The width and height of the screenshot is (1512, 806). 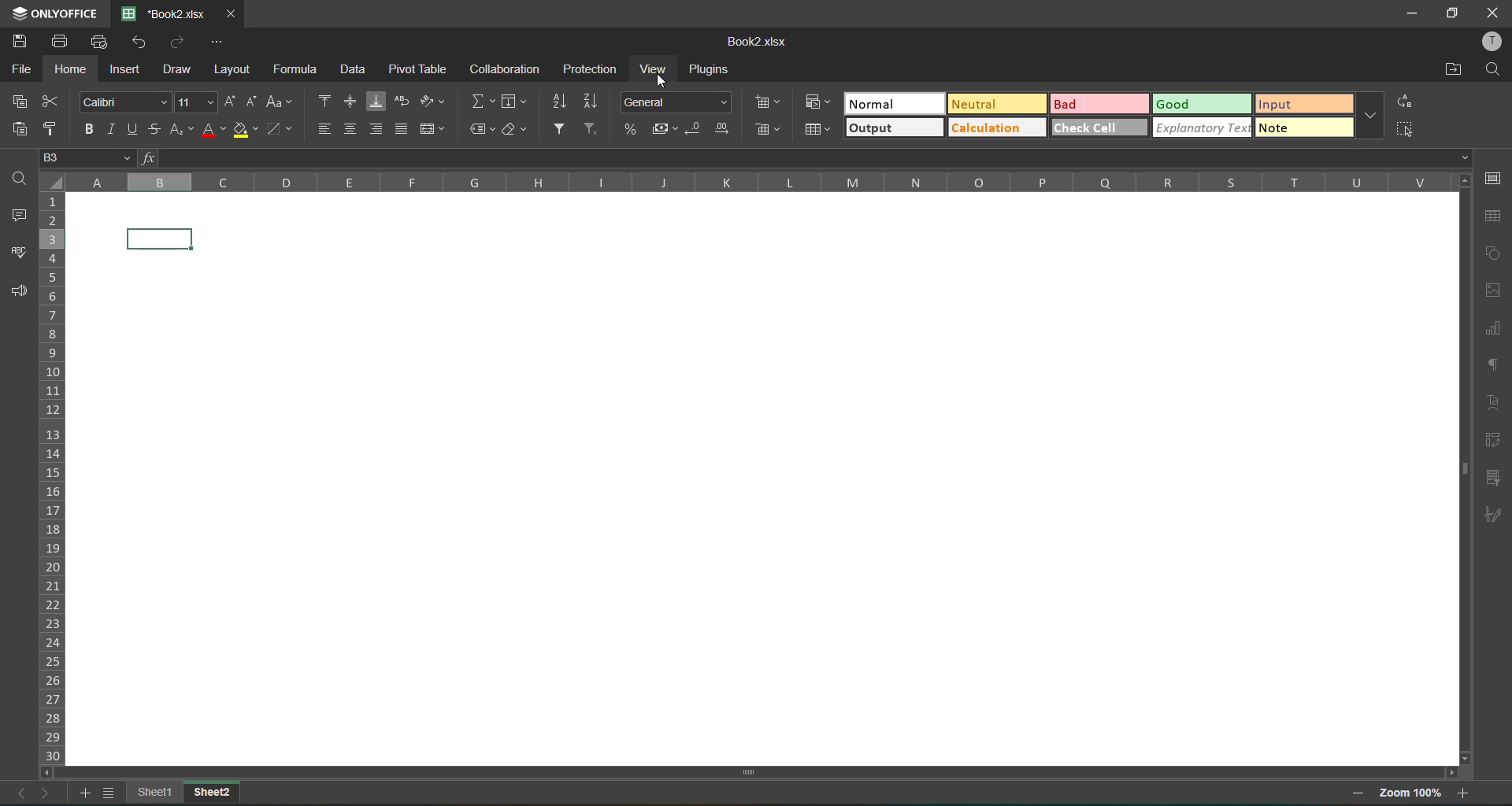 What do you see at coordinates (750, 773) in the screenshot?
I see `scrollbar` at bounding box center [750, 773].